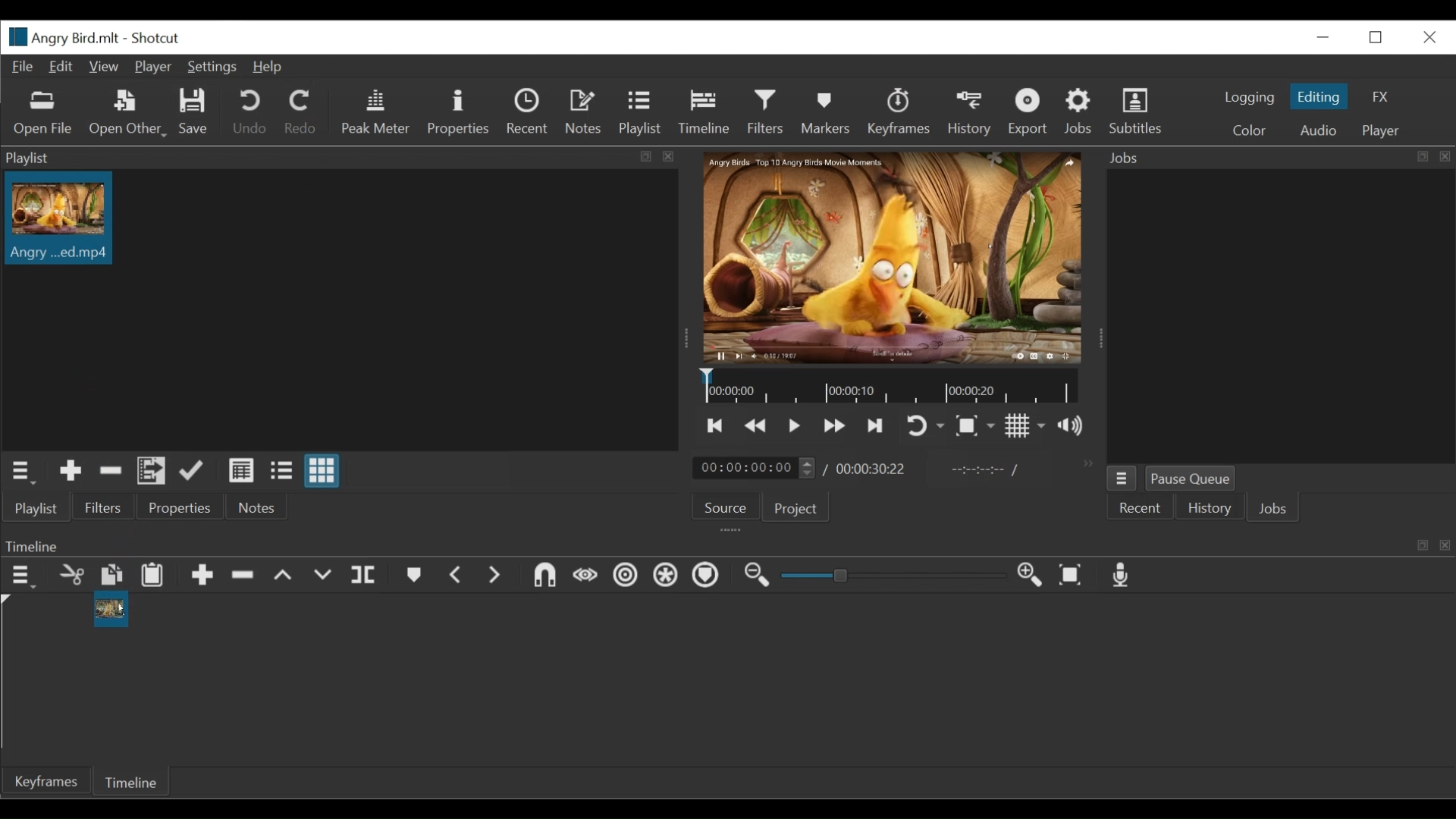 This screenshot has height=819, width=1456. I want to click on Properties, so click(458, 111).